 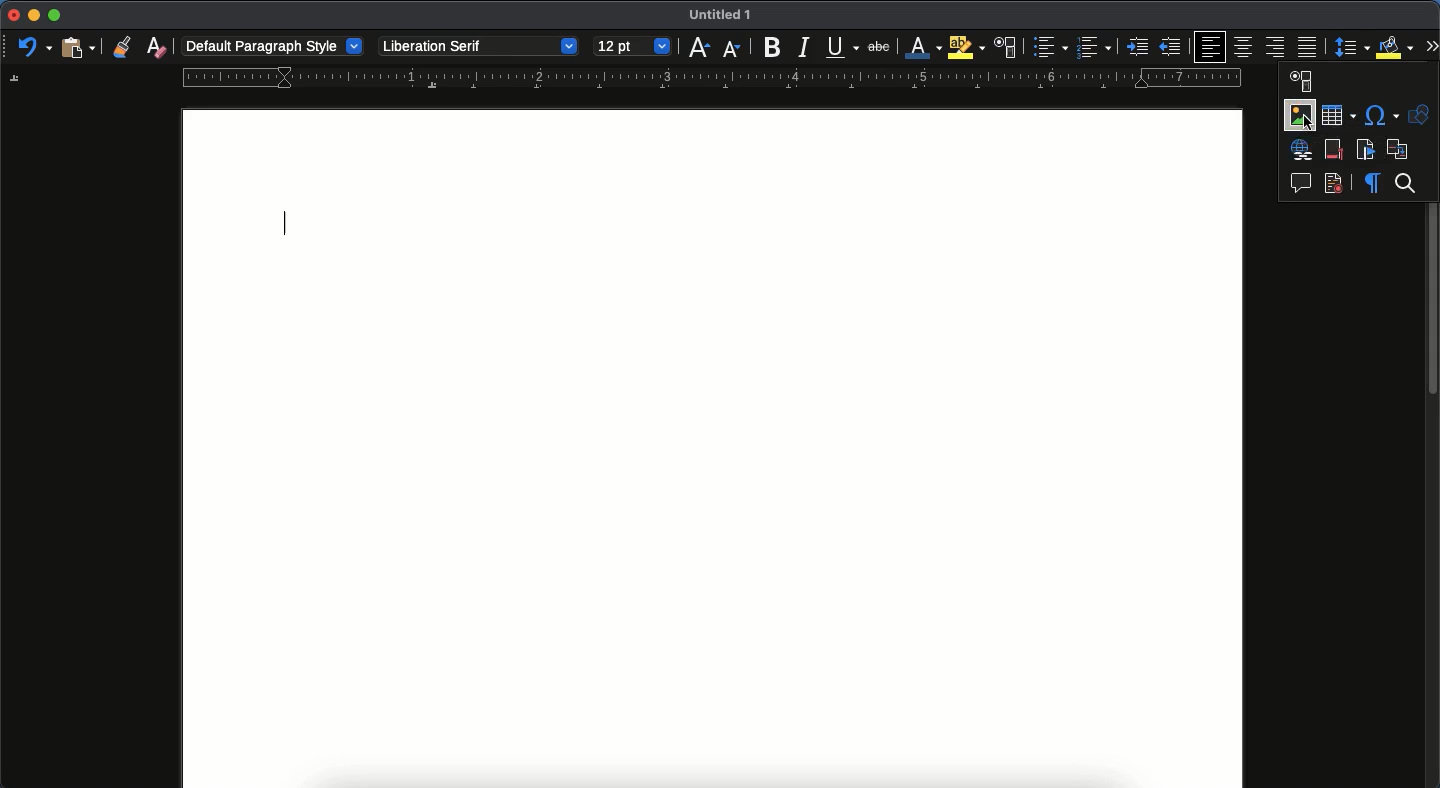 I want to click on special character, so click(x=1380, y=116).